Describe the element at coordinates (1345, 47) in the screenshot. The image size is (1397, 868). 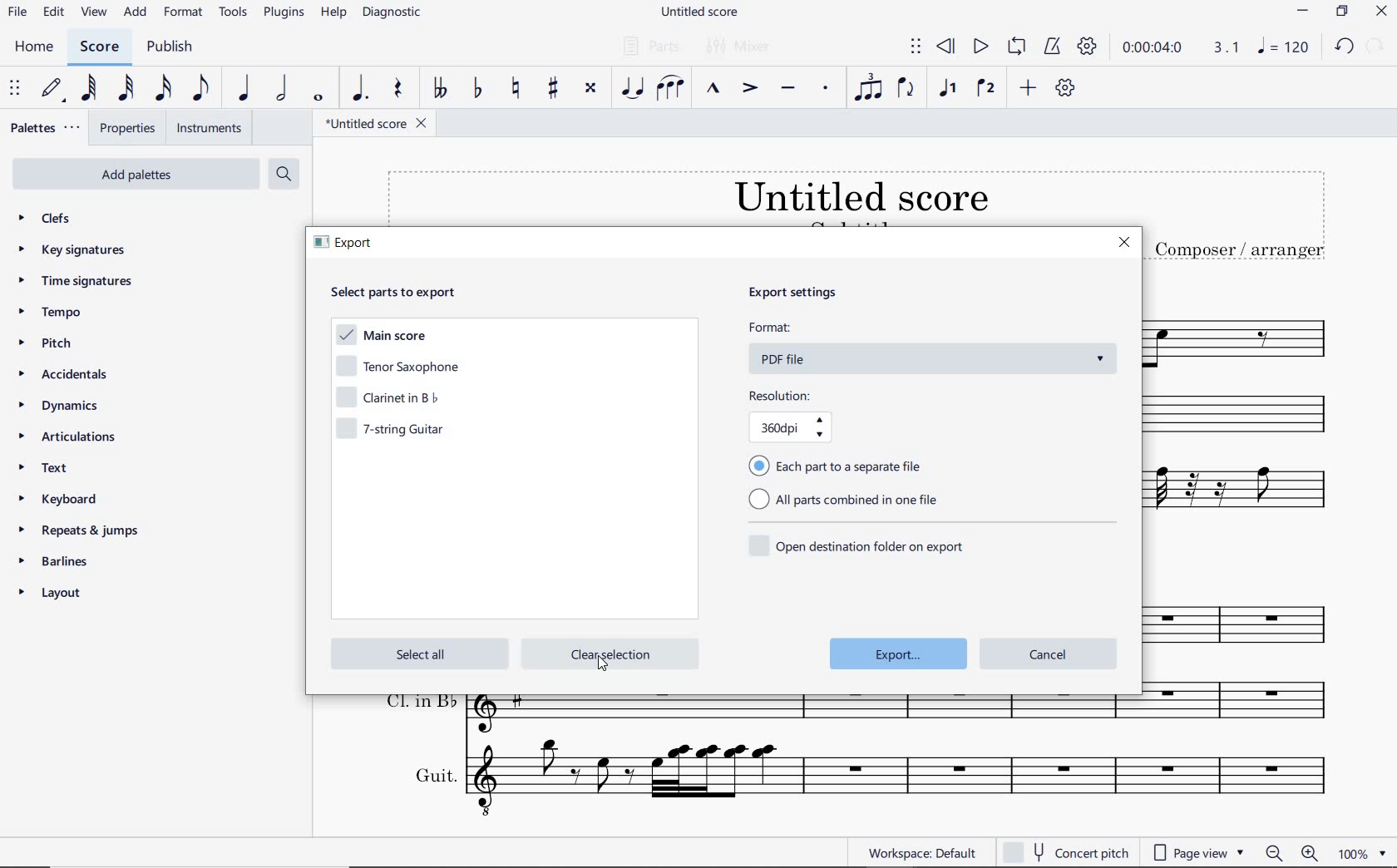
I see `UNDO` at that location.